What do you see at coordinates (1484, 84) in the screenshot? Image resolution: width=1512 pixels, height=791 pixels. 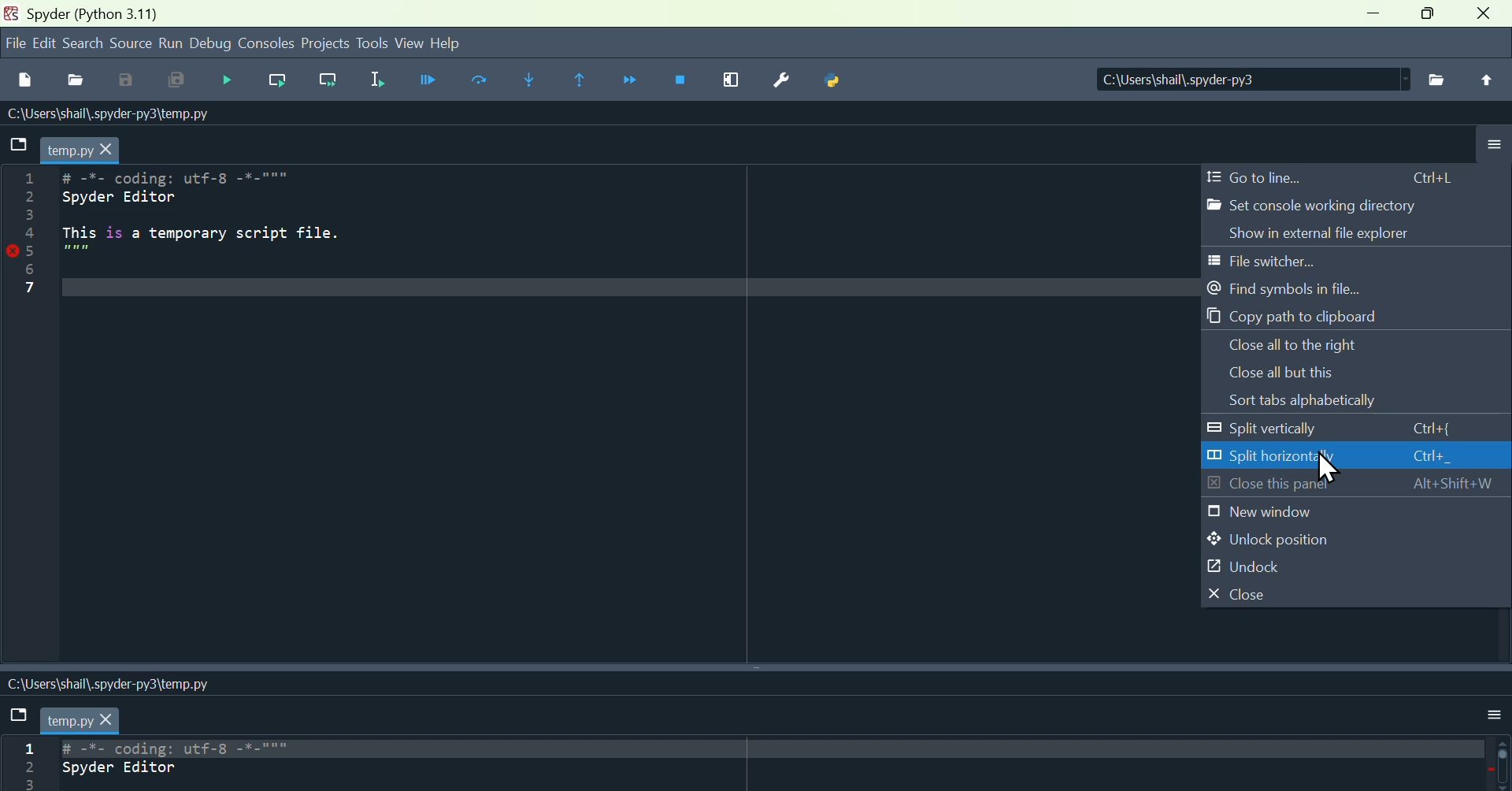 I see `Upload file` at bounding box center [1484, 84].